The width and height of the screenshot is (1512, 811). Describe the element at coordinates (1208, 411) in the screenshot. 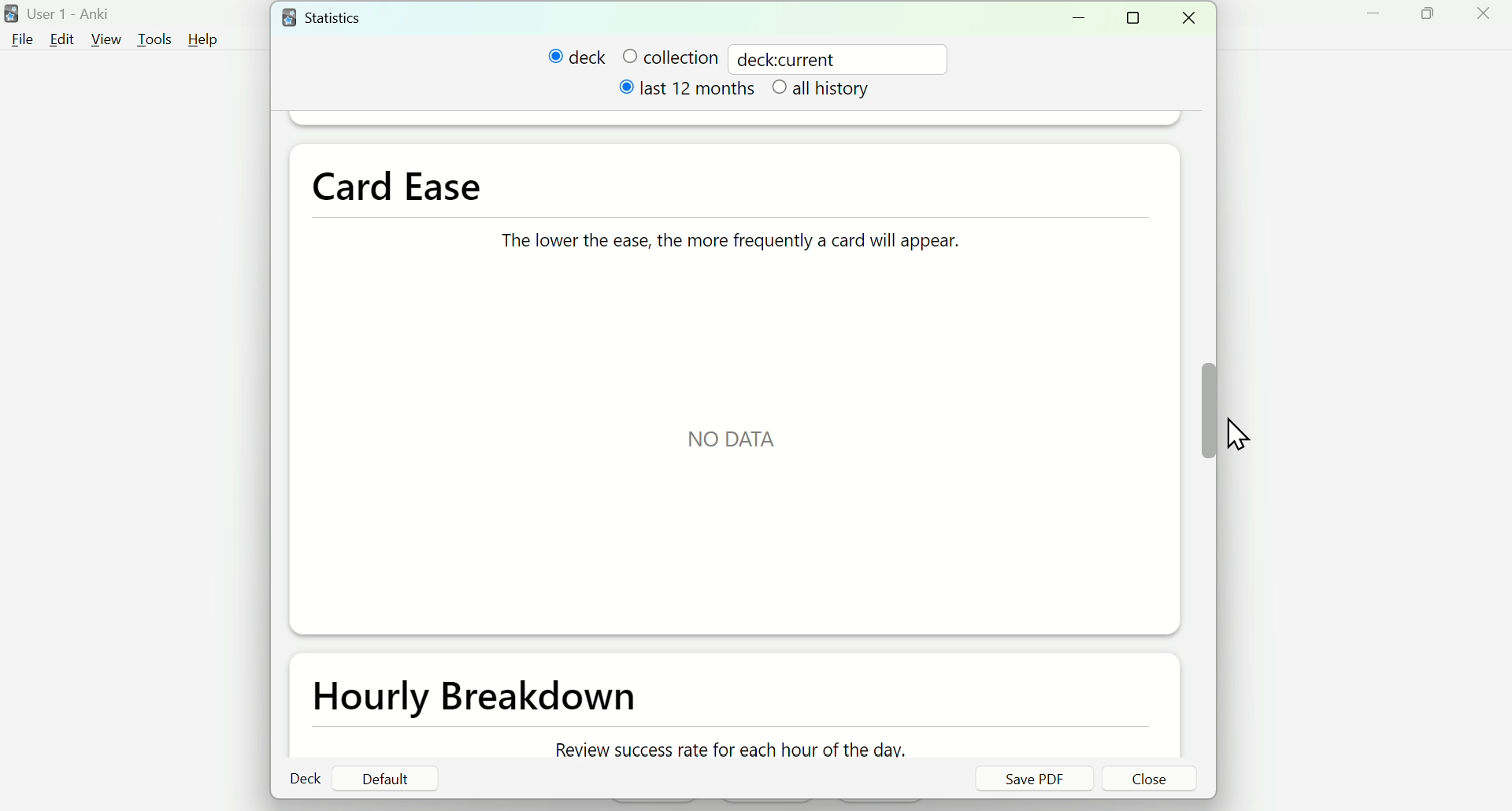

I see `Vertical scrollbar` at that location.